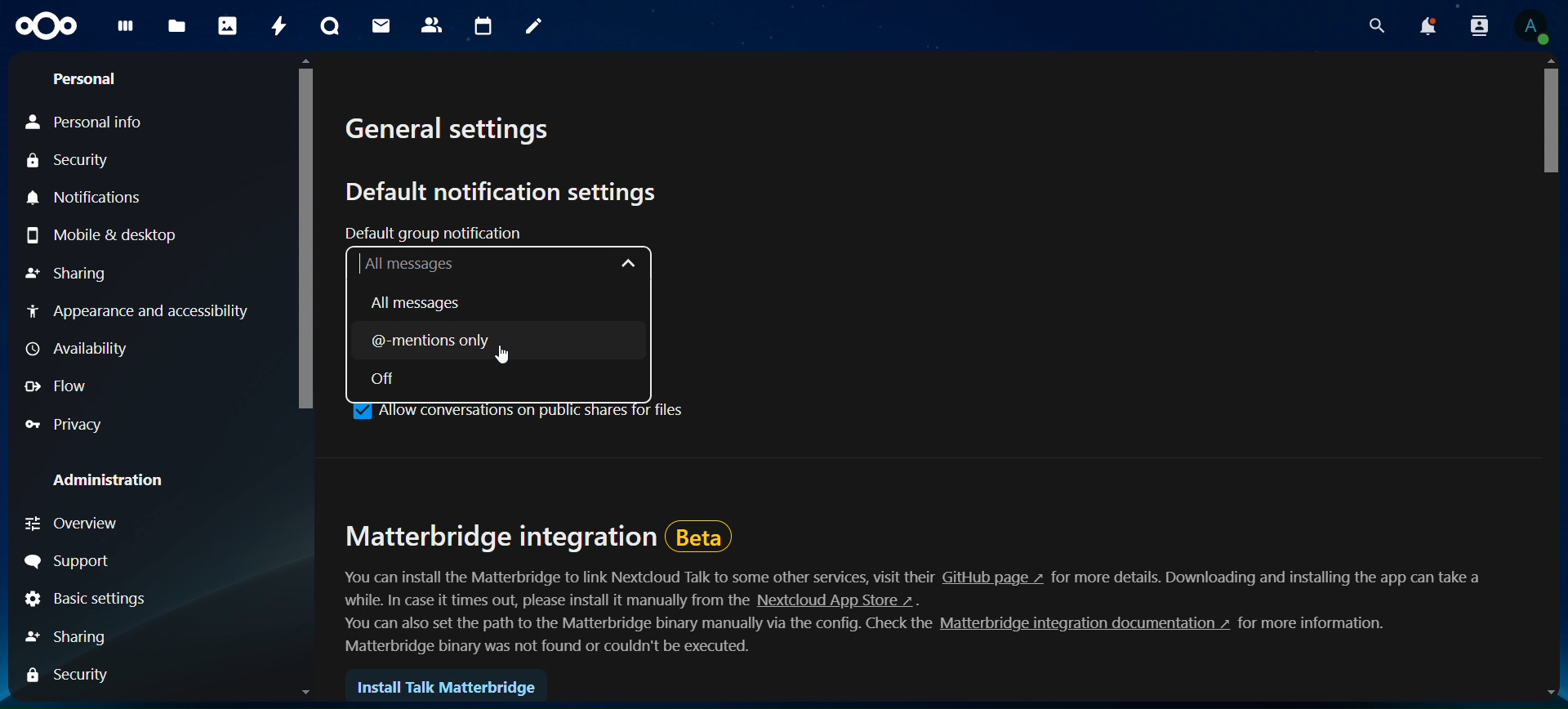 This screenshot has width=1568, height=709. Describe the element at coordinates (140, 314) in the screenshot. I see `appearance and accessibilty` at that location.